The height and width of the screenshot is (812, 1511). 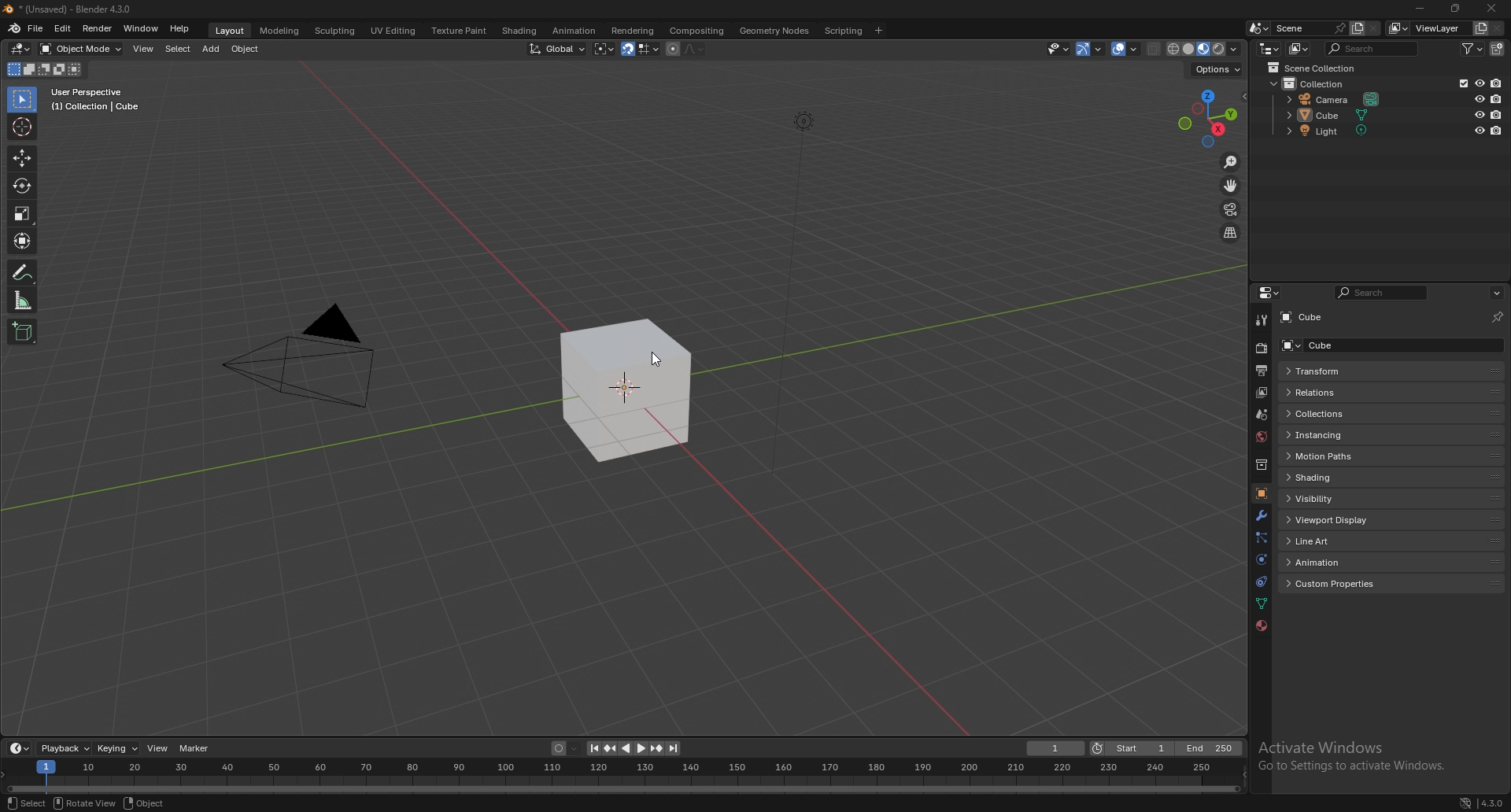 I want to click on perspective/orthographic mode, so click(x=1230, y=233).